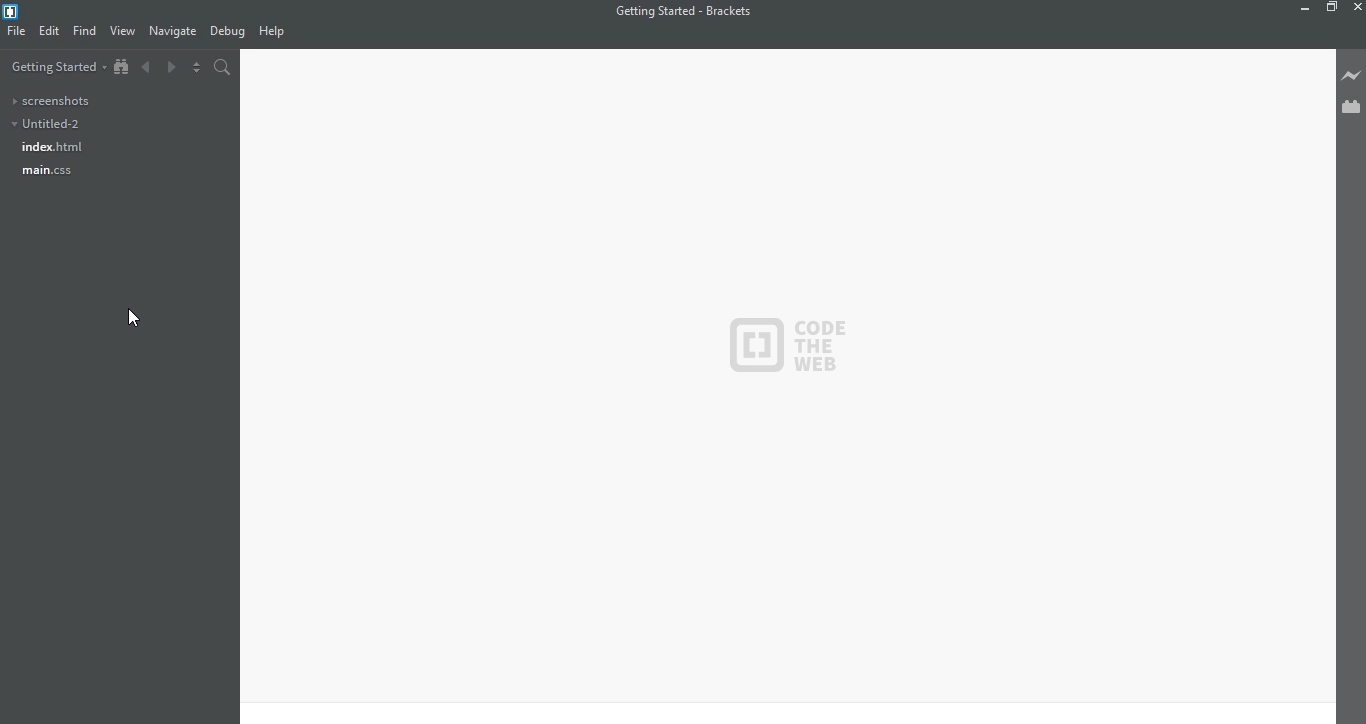 This screenshot has width=1366, height=724. I want to click on code the web, so click(790, 344).